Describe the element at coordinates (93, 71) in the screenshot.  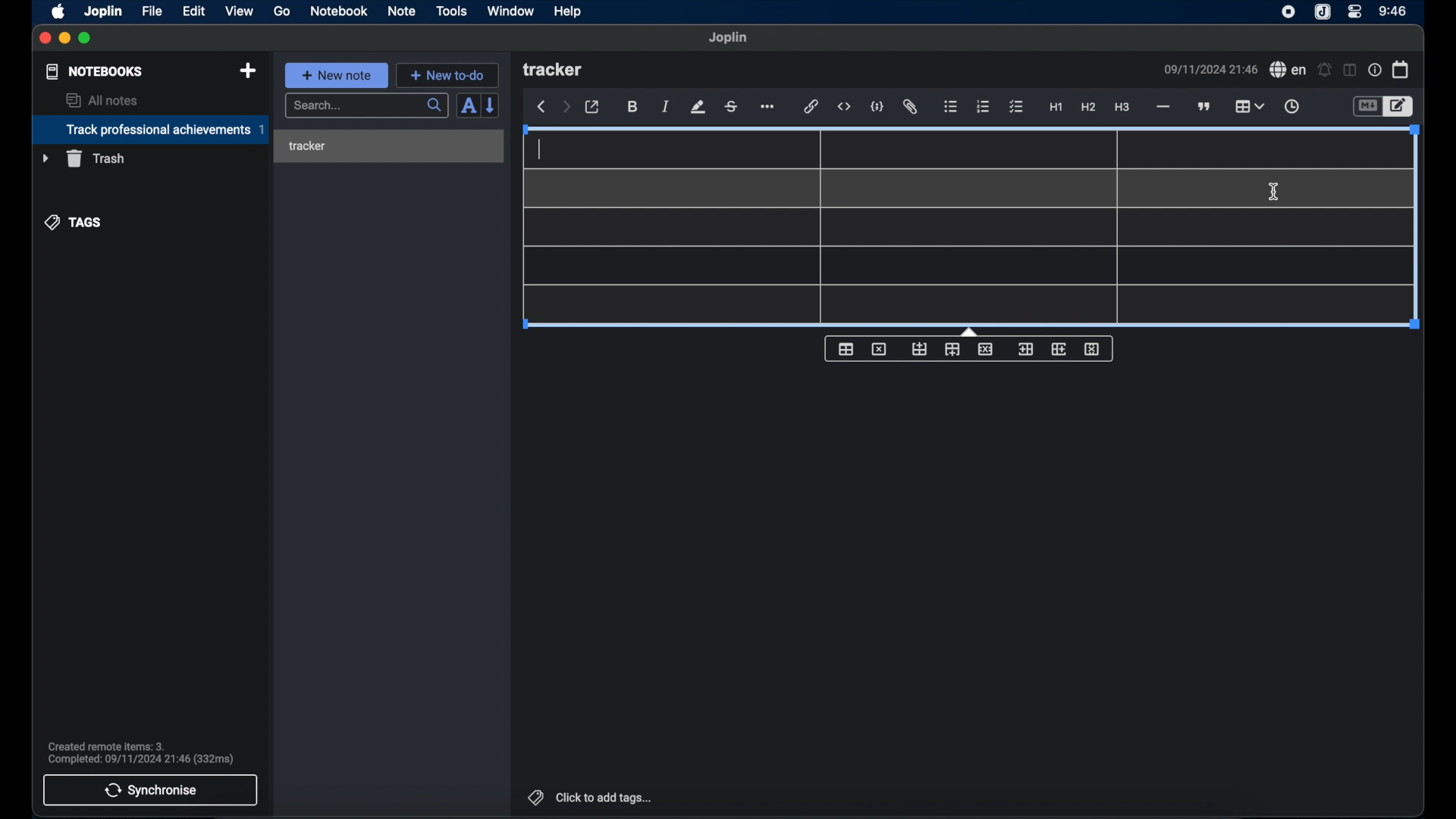
I see `notebooks` at that location.